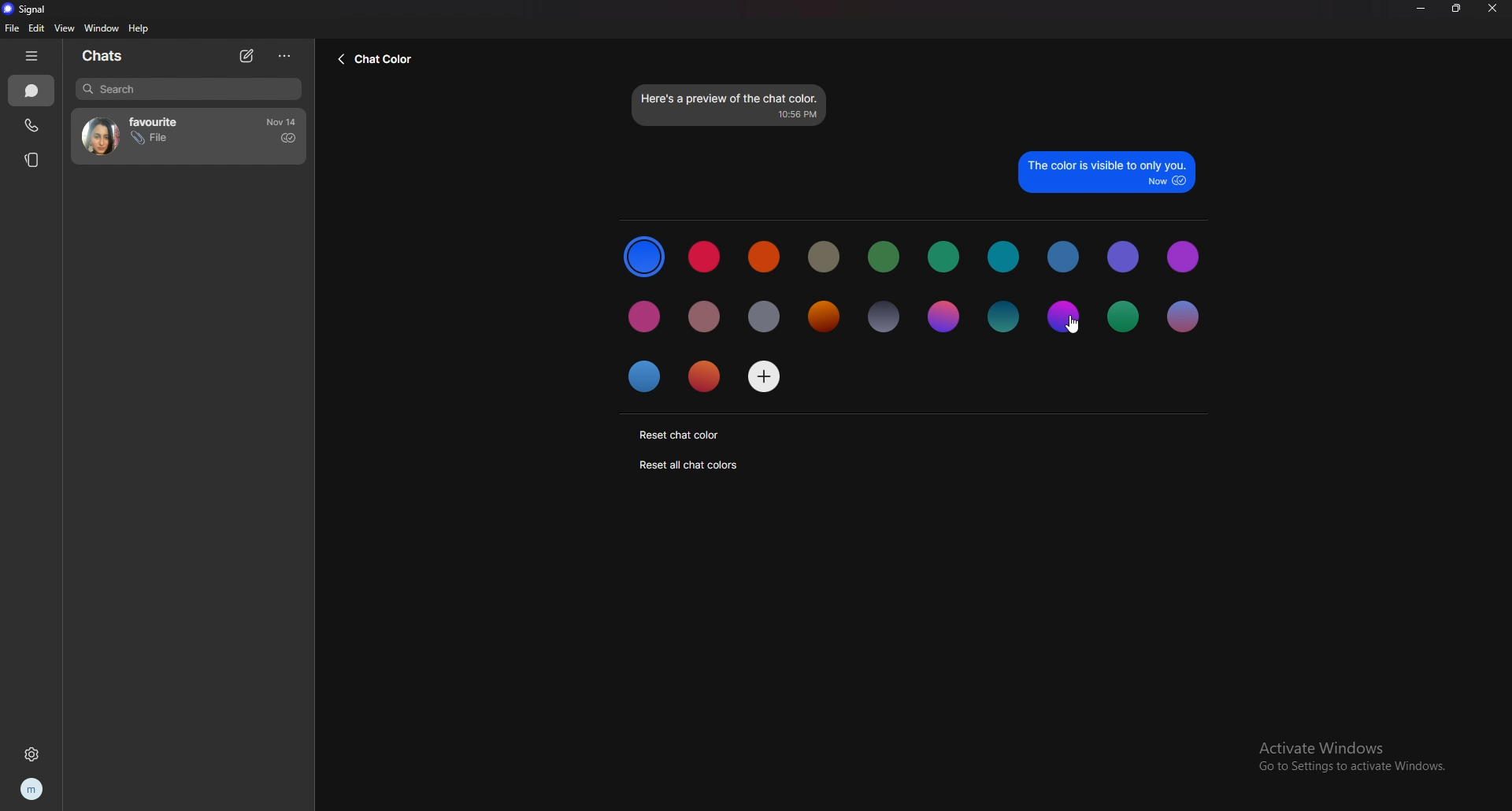  What do you see at coordinates (1492, 9) in the screenshot?
I see `close` at bounding box center [1492, 9].